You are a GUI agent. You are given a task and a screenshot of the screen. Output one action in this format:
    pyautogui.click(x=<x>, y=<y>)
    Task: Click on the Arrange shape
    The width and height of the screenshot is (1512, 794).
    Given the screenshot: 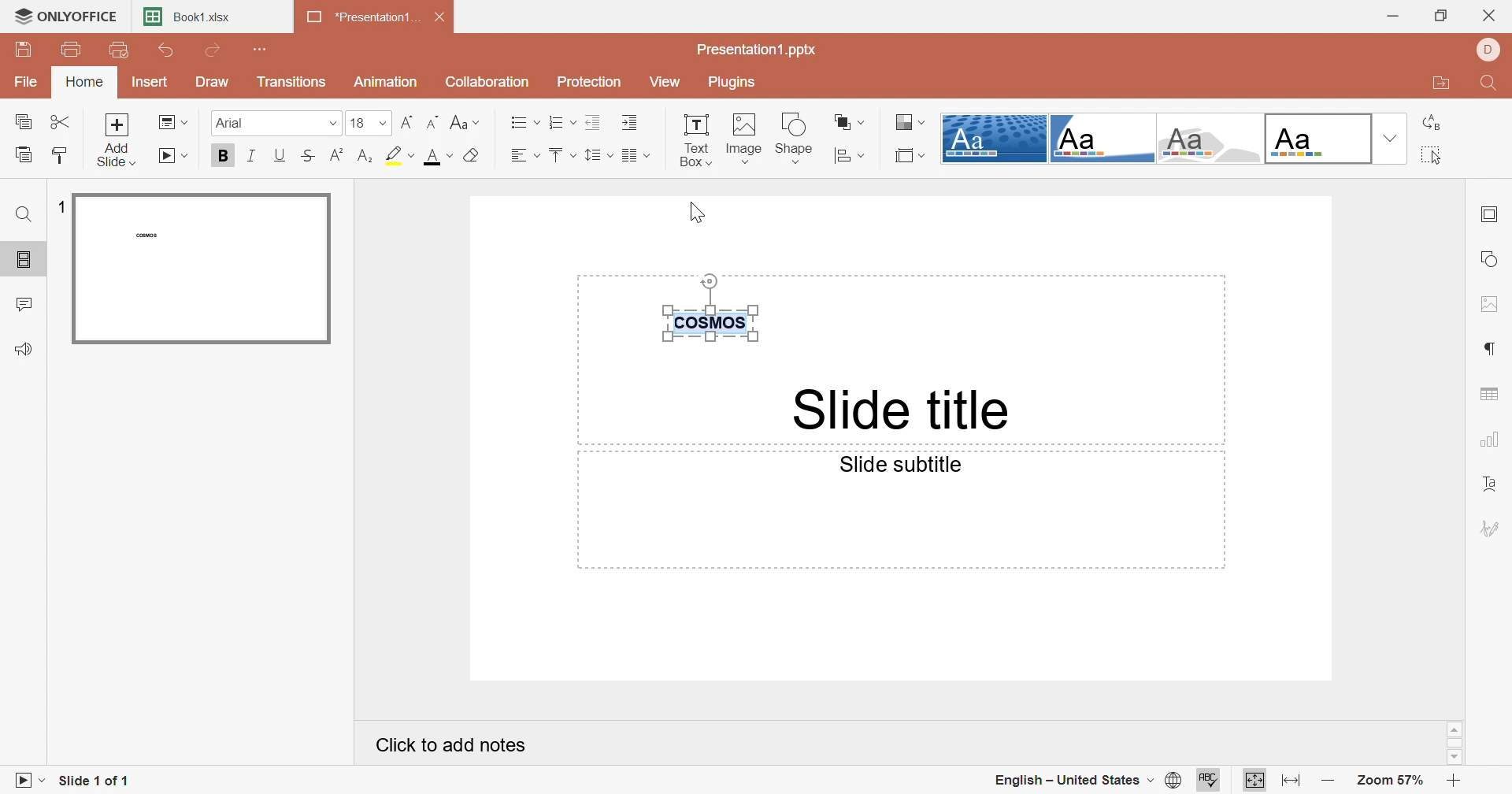 What is the action you would take?
    pyautogui.click(x=855, y=125)
    